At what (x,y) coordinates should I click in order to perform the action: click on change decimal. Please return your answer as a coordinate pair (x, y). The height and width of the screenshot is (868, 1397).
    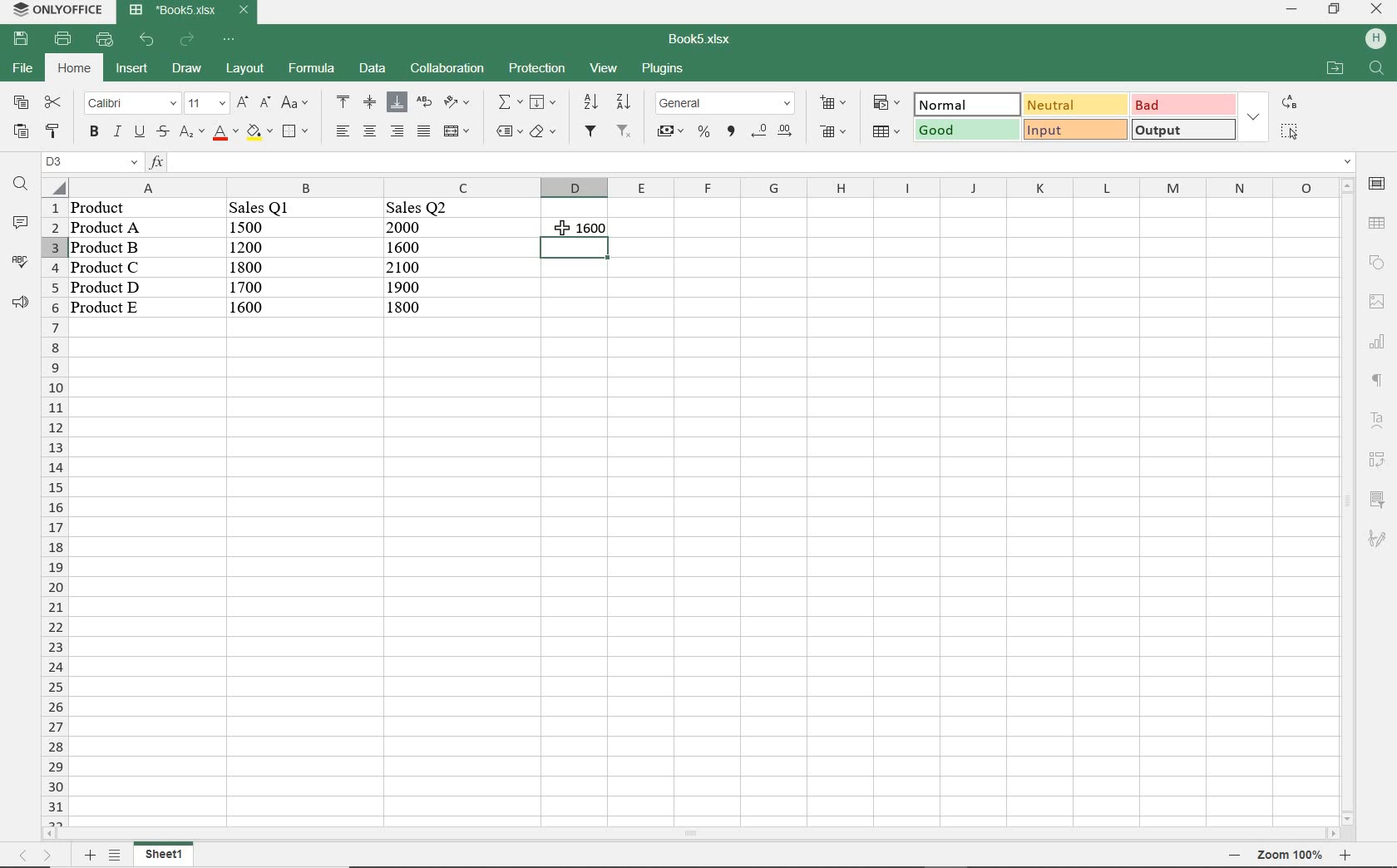
    Looking at the image, I should click on (772, 133).